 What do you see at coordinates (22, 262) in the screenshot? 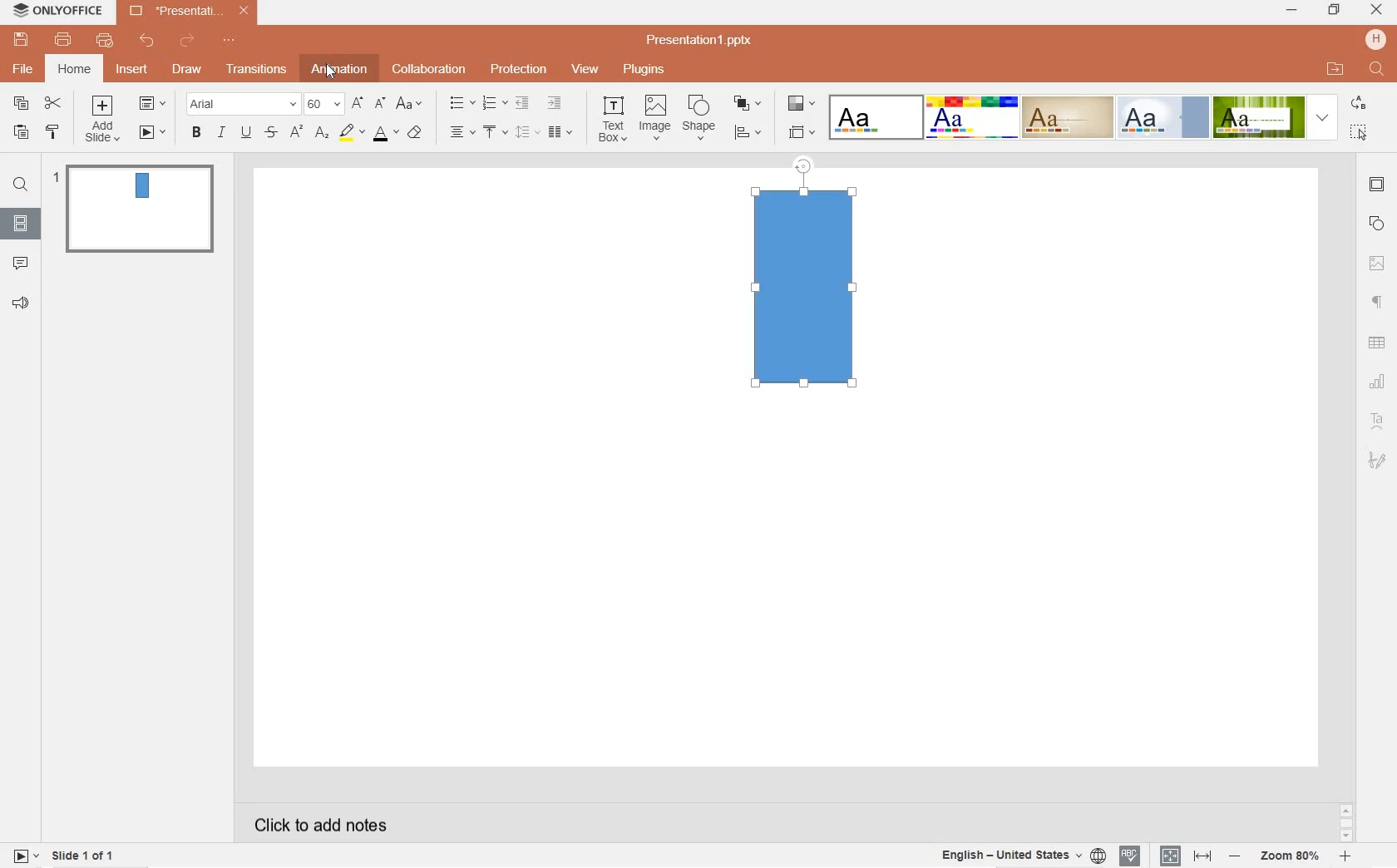
I see `comments` at bounding box center [22, 262].